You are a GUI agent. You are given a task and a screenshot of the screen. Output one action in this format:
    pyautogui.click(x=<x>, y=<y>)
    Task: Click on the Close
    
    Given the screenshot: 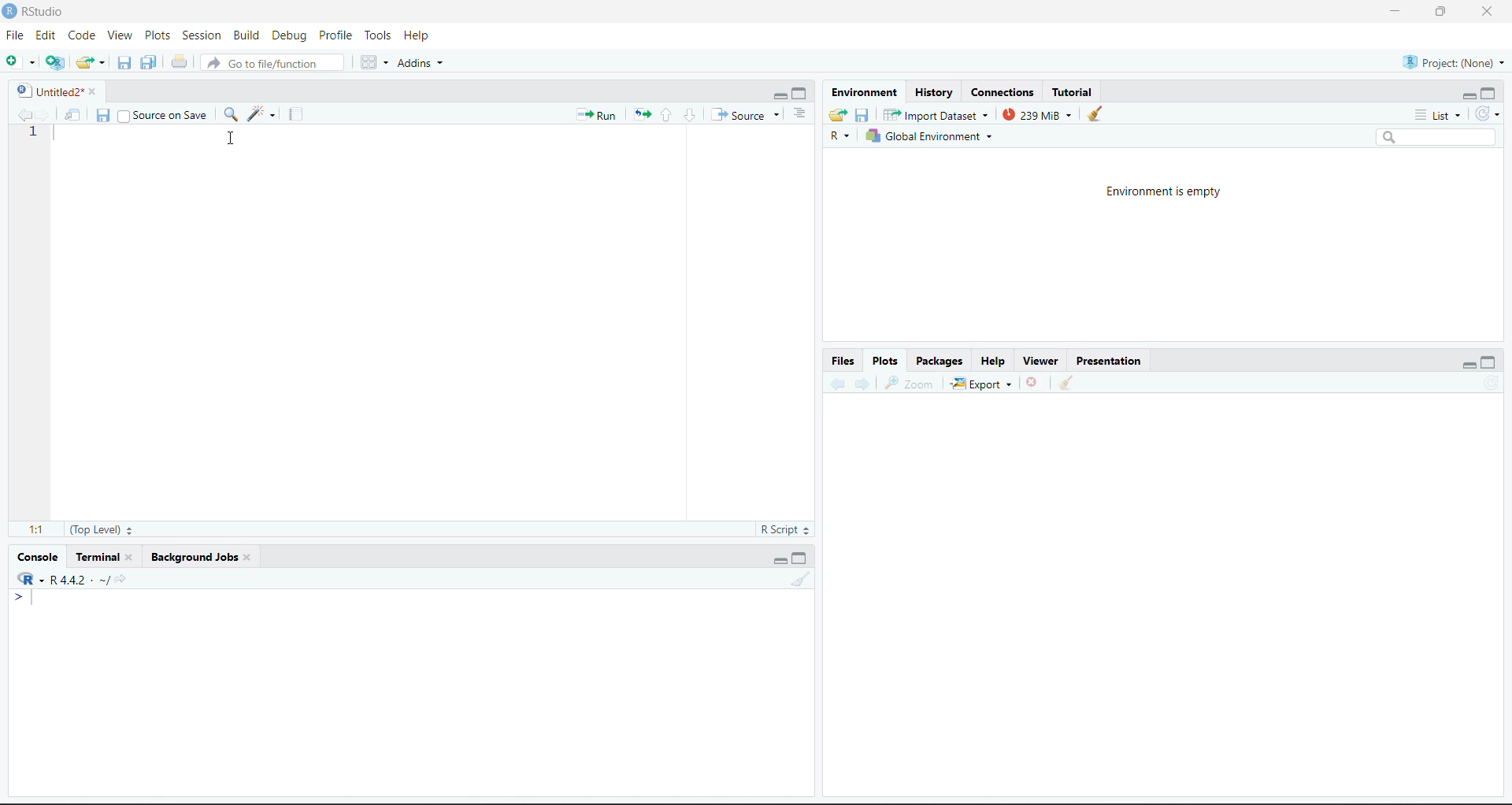 What is the action you would take?
    pyautogui.click(x=1034, y=382)
    